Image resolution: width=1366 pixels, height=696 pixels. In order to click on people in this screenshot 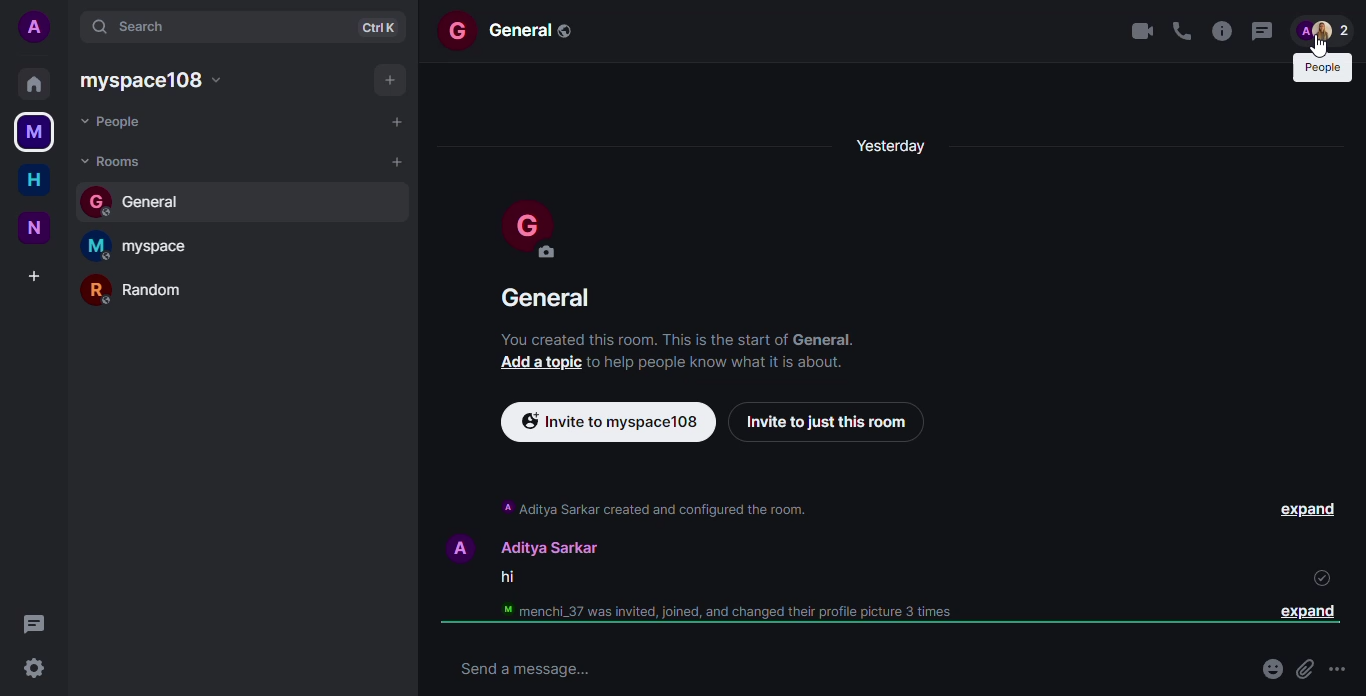, I will do `click(114, 123)`.